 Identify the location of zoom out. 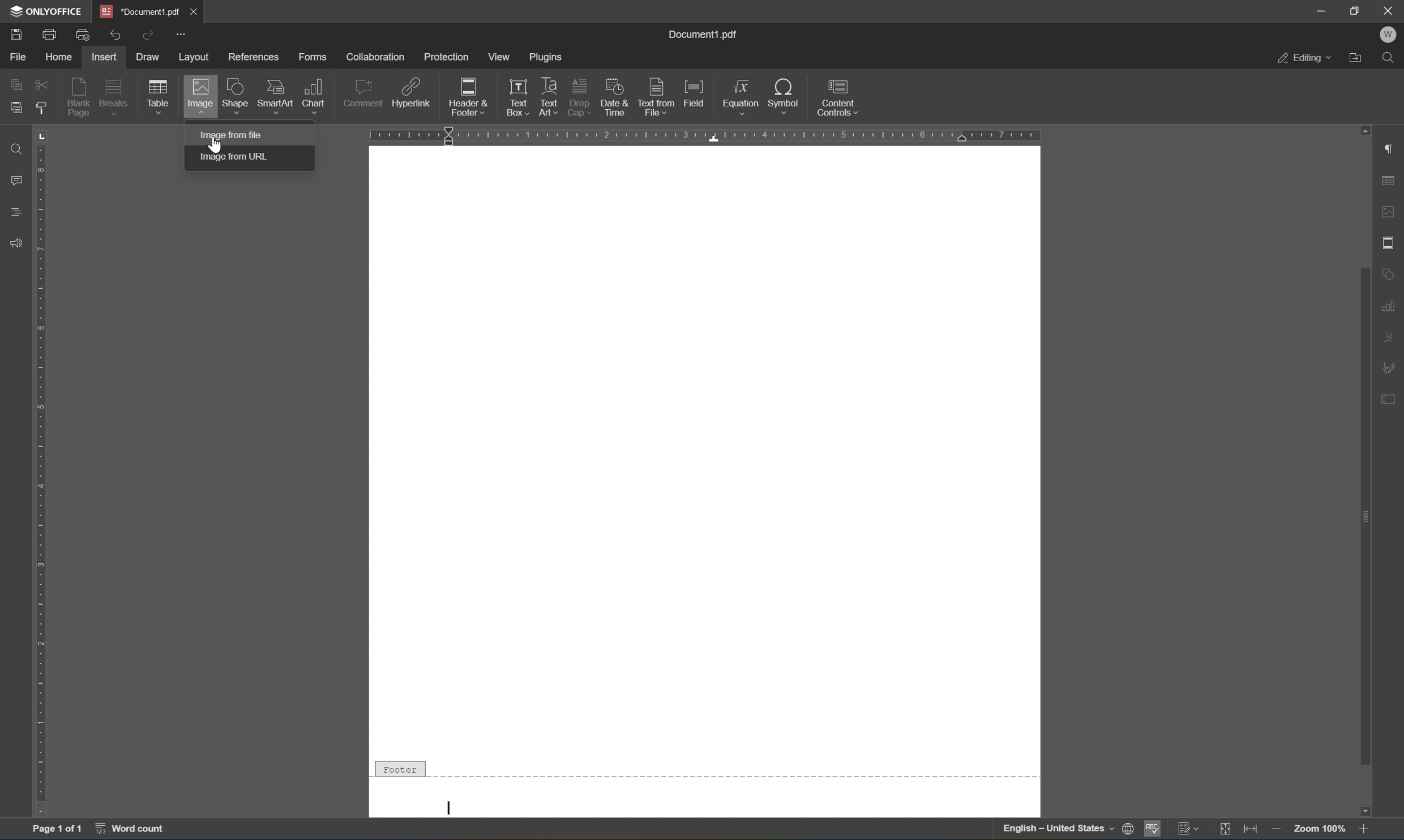
(1275, 829).